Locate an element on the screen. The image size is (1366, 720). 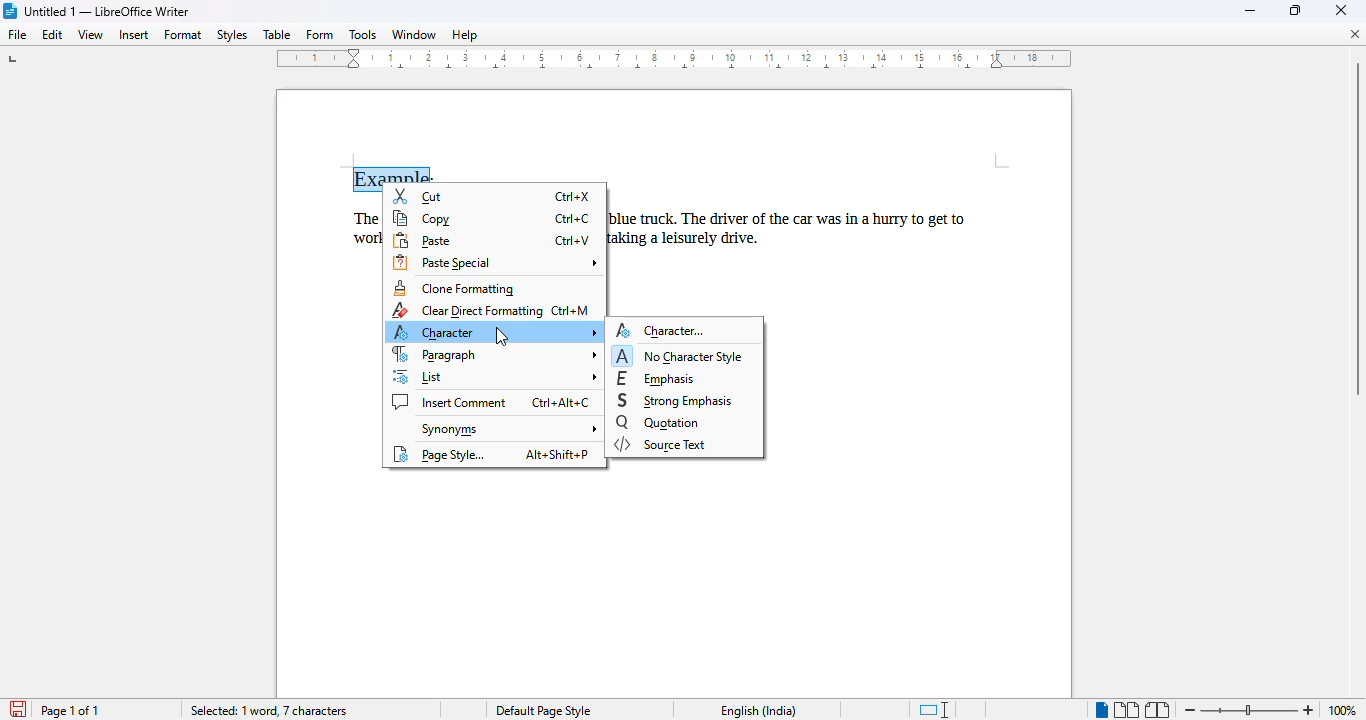
LibreOffice logo is located at coordinates (9, 11).